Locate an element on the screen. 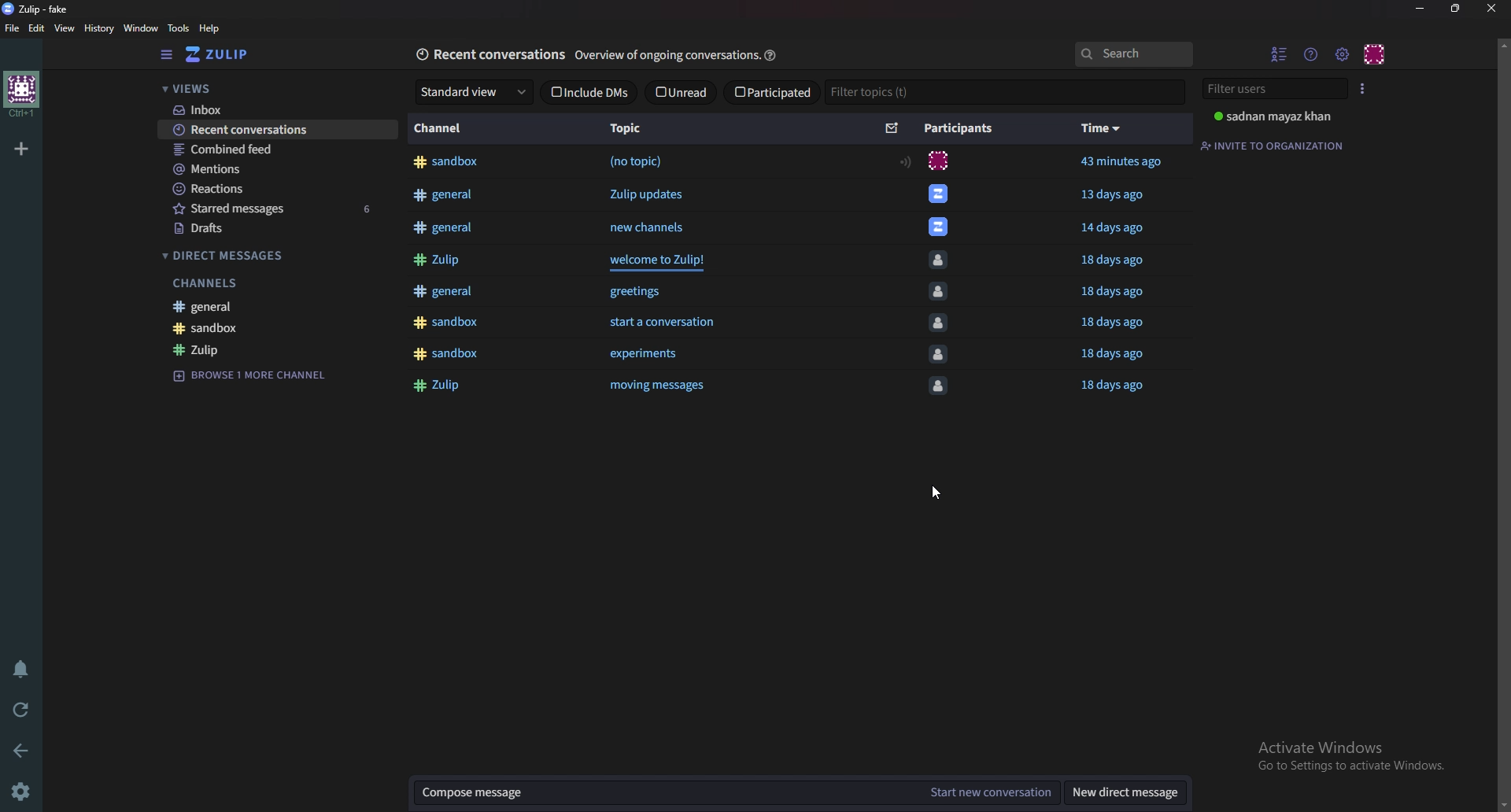 This screenshot has height=812, width=1511. Edit is located at coordinates (37, 28).